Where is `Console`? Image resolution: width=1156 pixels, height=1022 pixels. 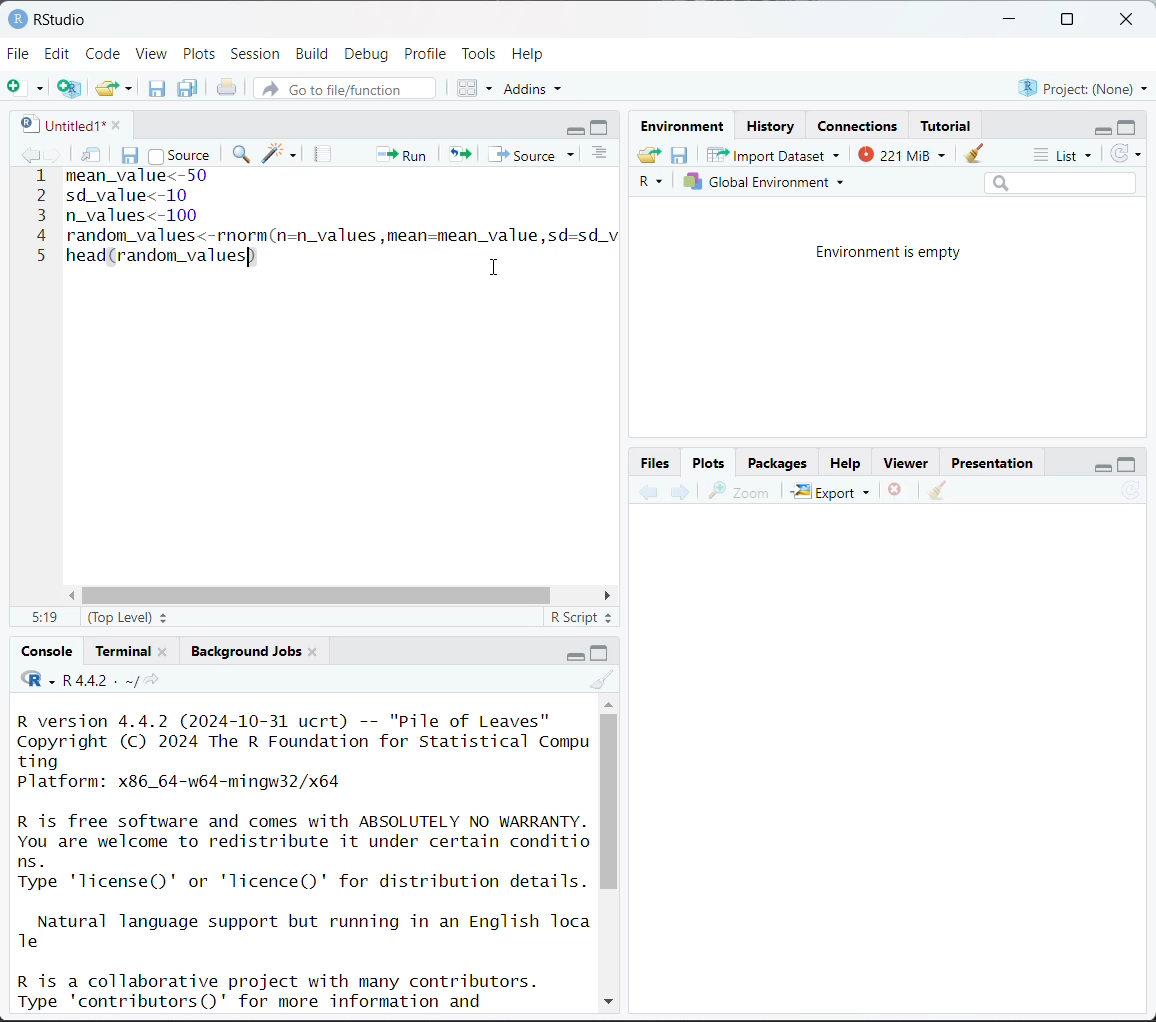
Console is located at coordinates (48, 651).